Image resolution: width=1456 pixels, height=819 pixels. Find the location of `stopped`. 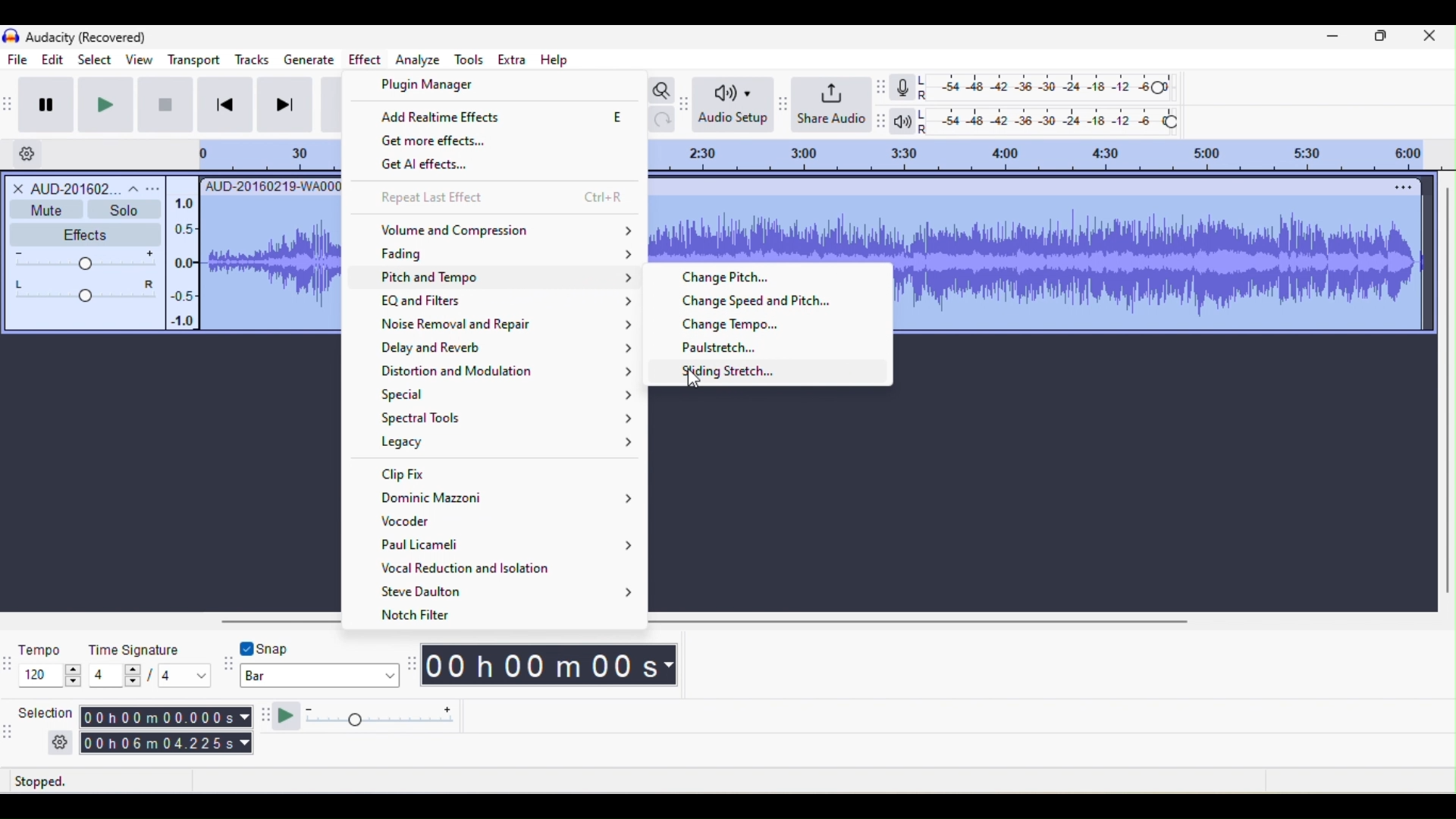

stopped is located at coordinates (61, 782).